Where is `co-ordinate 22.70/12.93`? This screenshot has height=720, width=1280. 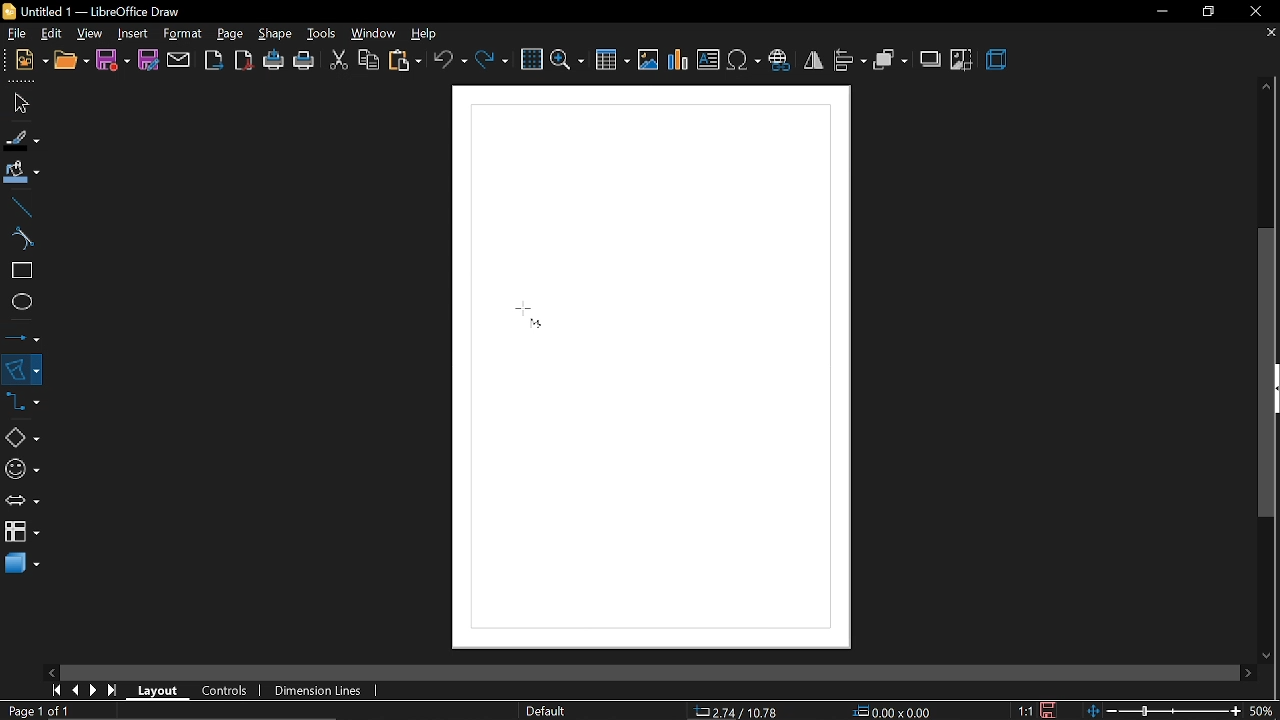 co-ordinate 22.70/12.93 is located at coordinates (742, 711).